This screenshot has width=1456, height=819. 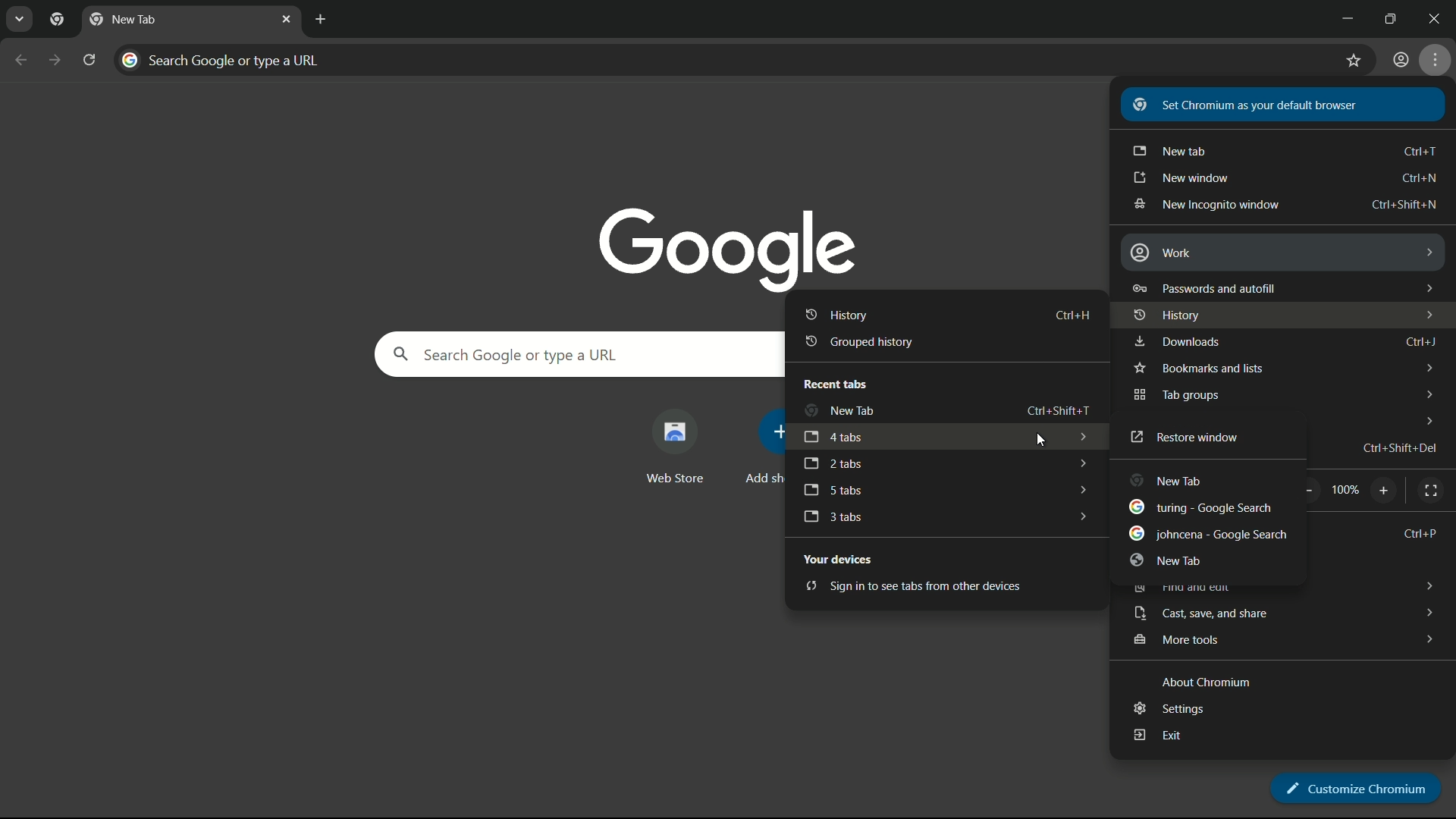 What do you see at coordinates (1167, 707) in the screenshot?
I see `settings` at bounding box center [1167, 707].